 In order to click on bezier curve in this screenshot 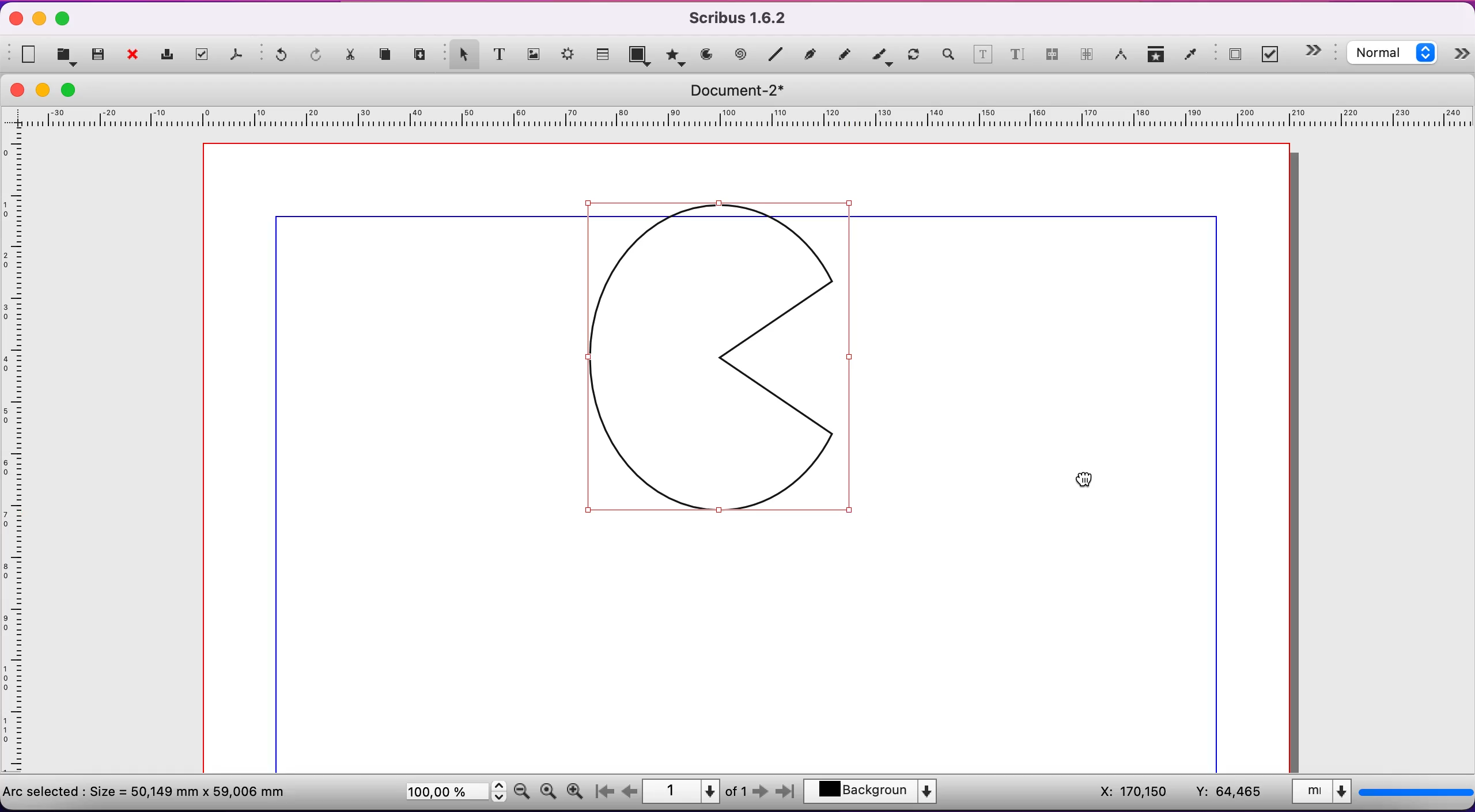, I will do `click(812, 54)`.